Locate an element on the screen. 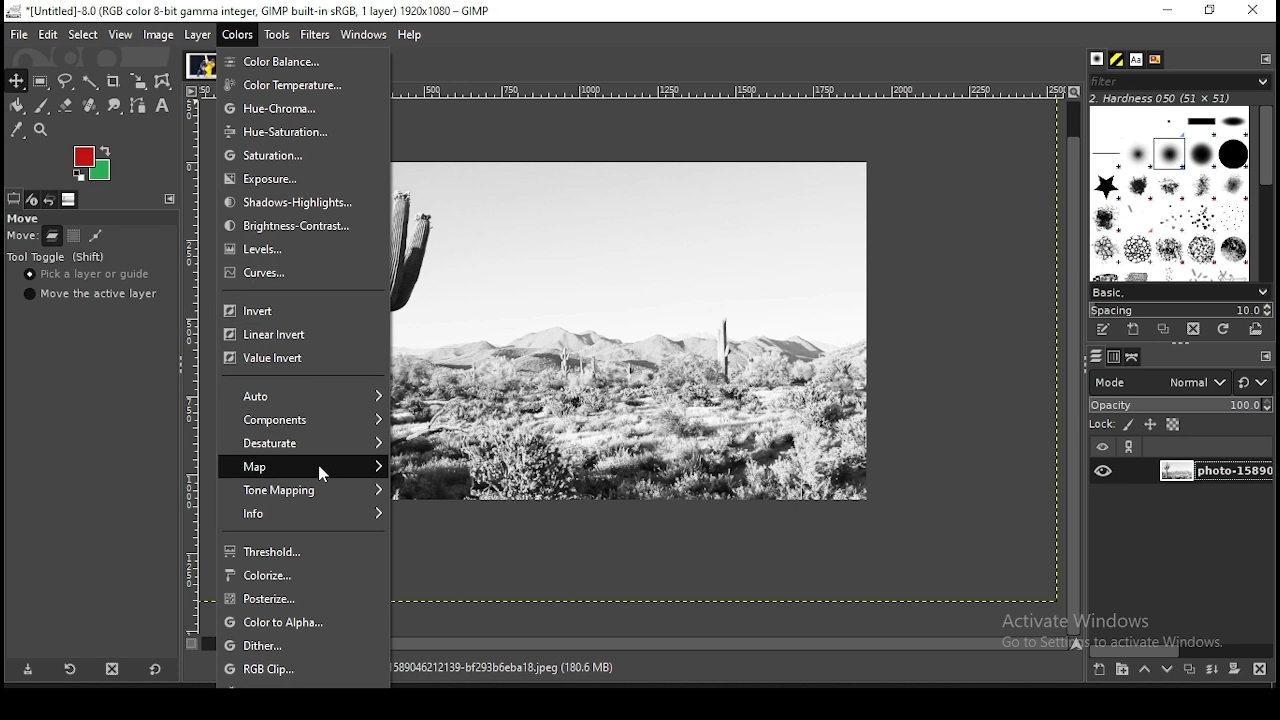  delete this layer is located at coordinates (1260, 668).